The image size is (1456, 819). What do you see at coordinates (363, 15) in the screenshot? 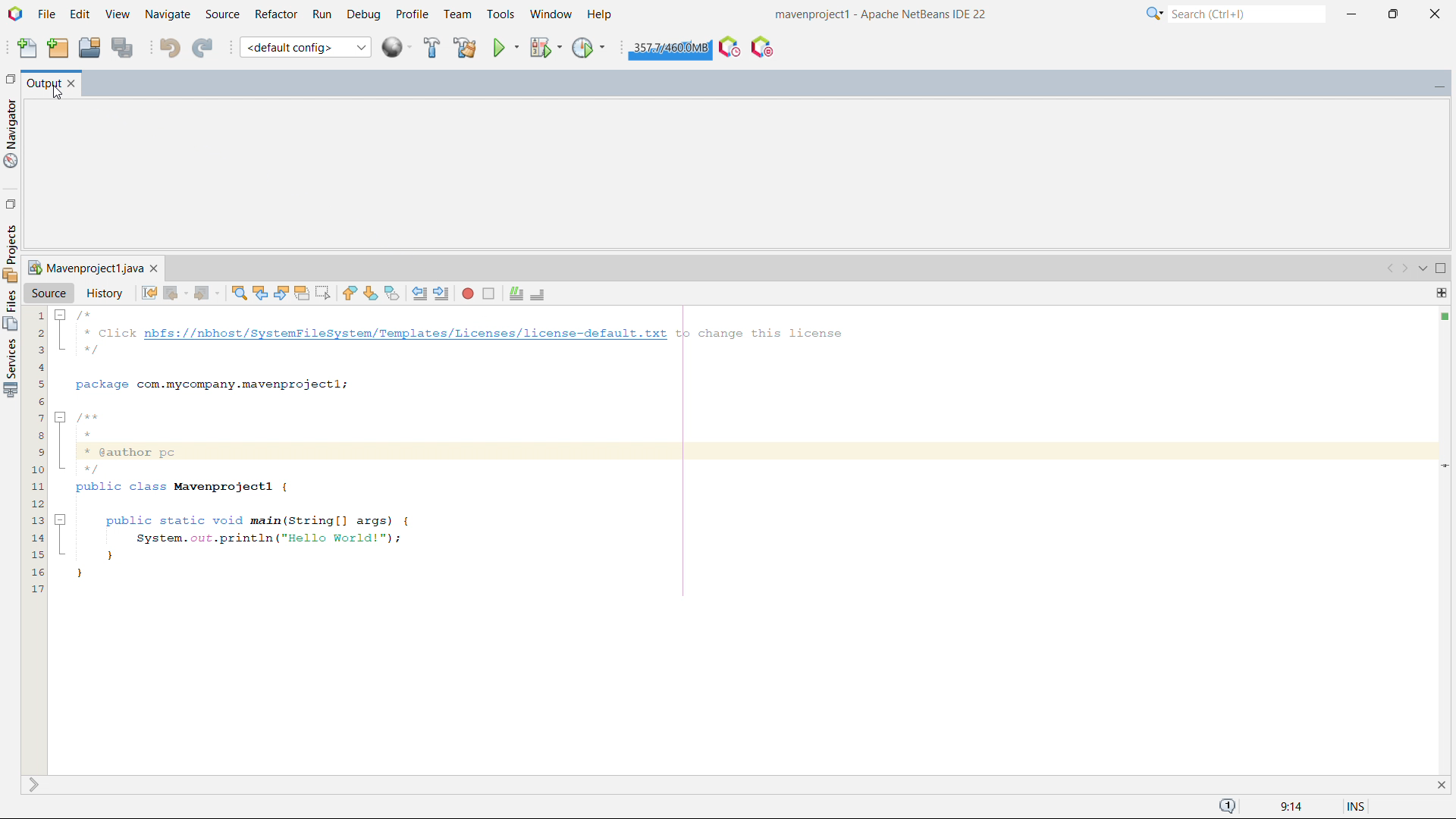
I see `debug` at bounding box center [363, 15].